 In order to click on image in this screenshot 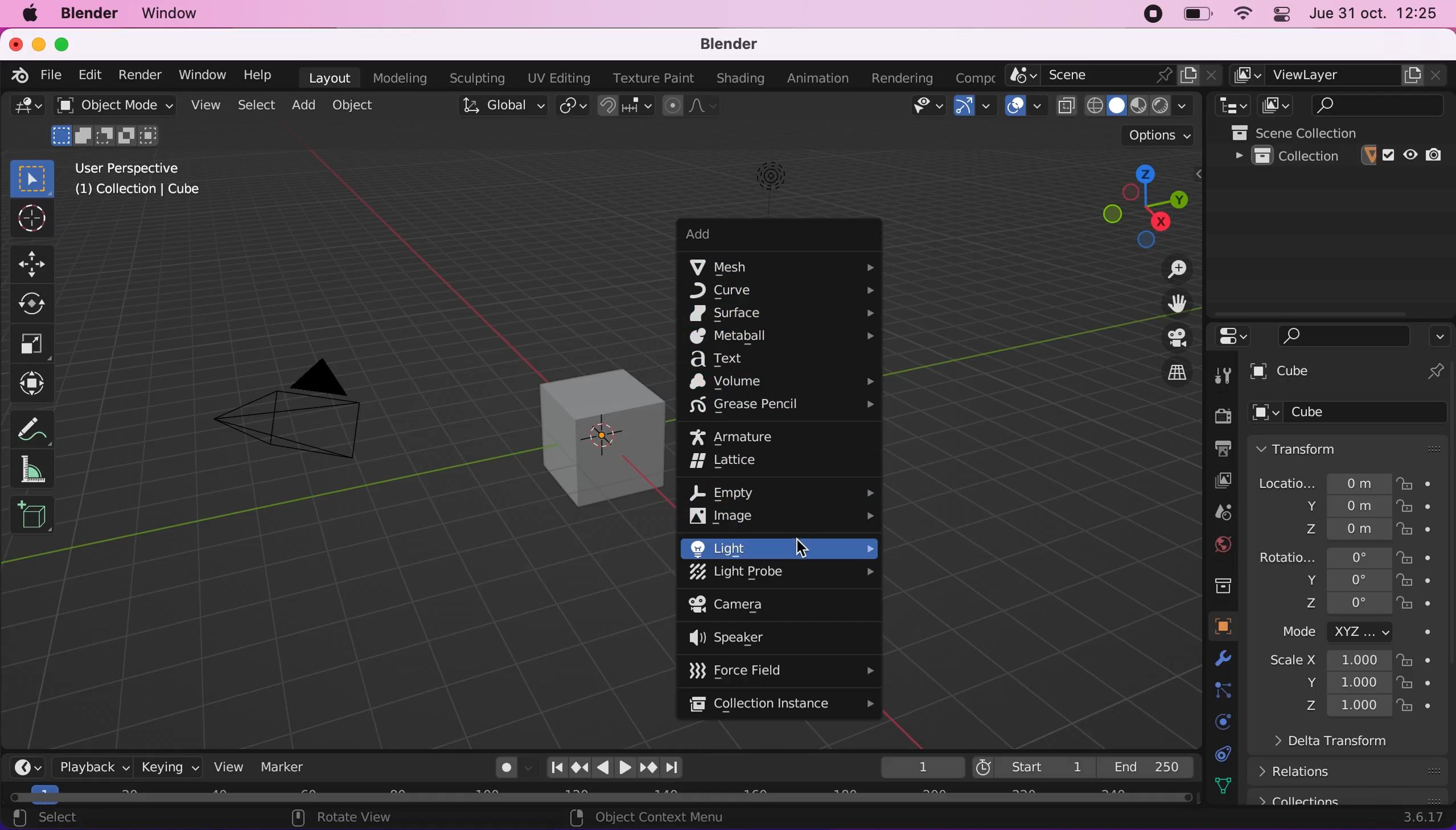, I will do `click(782, 516)`.